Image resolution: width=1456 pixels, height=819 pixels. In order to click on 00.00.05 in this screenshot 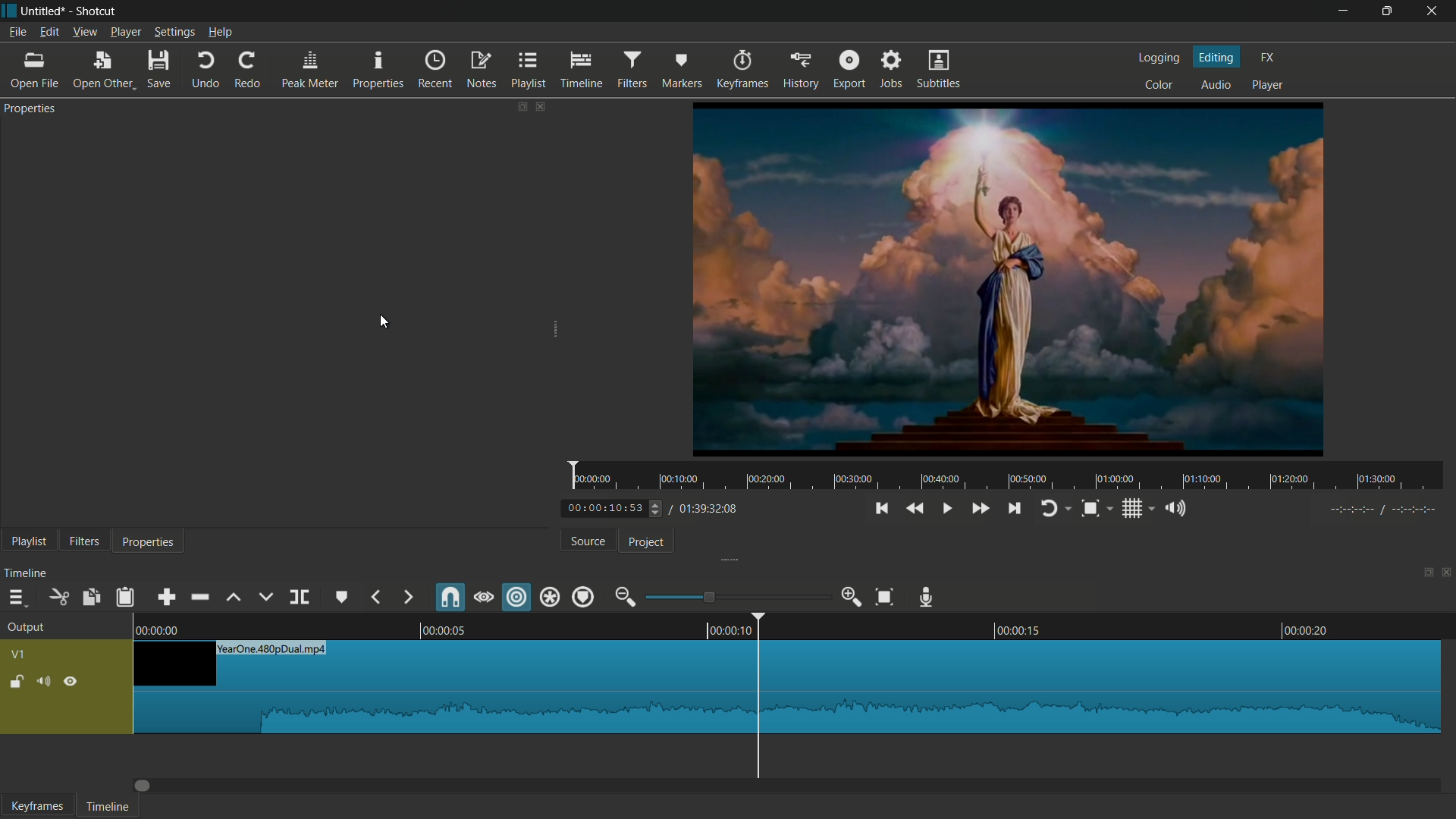, I will do `click(444, 629)`.